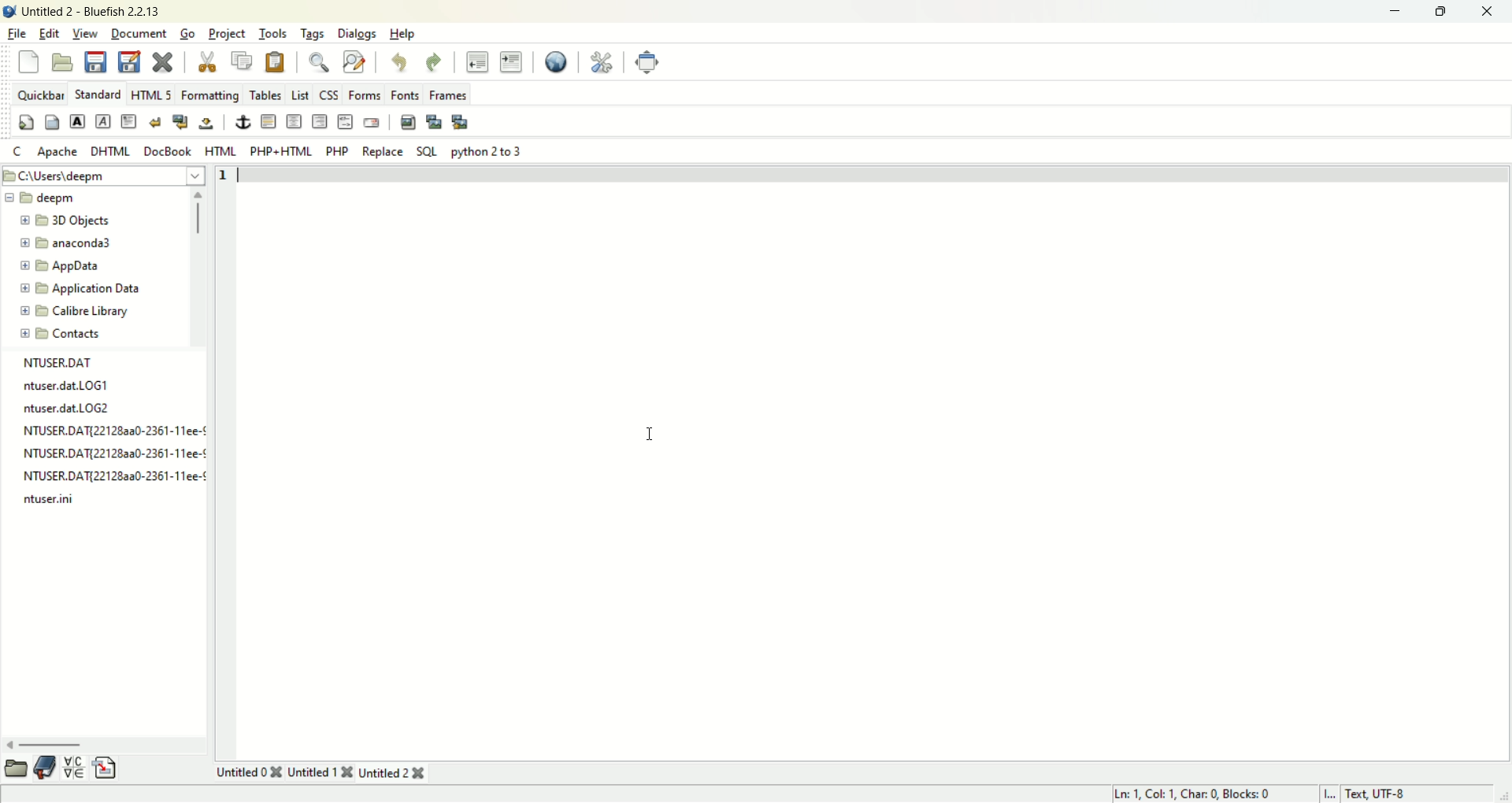 The height and width of the screenshot is (803, 1512). What do you see at coordinates (199, 268) in the screenshot?
I see `vertical scroll bar` at bounding box center [199, 268].